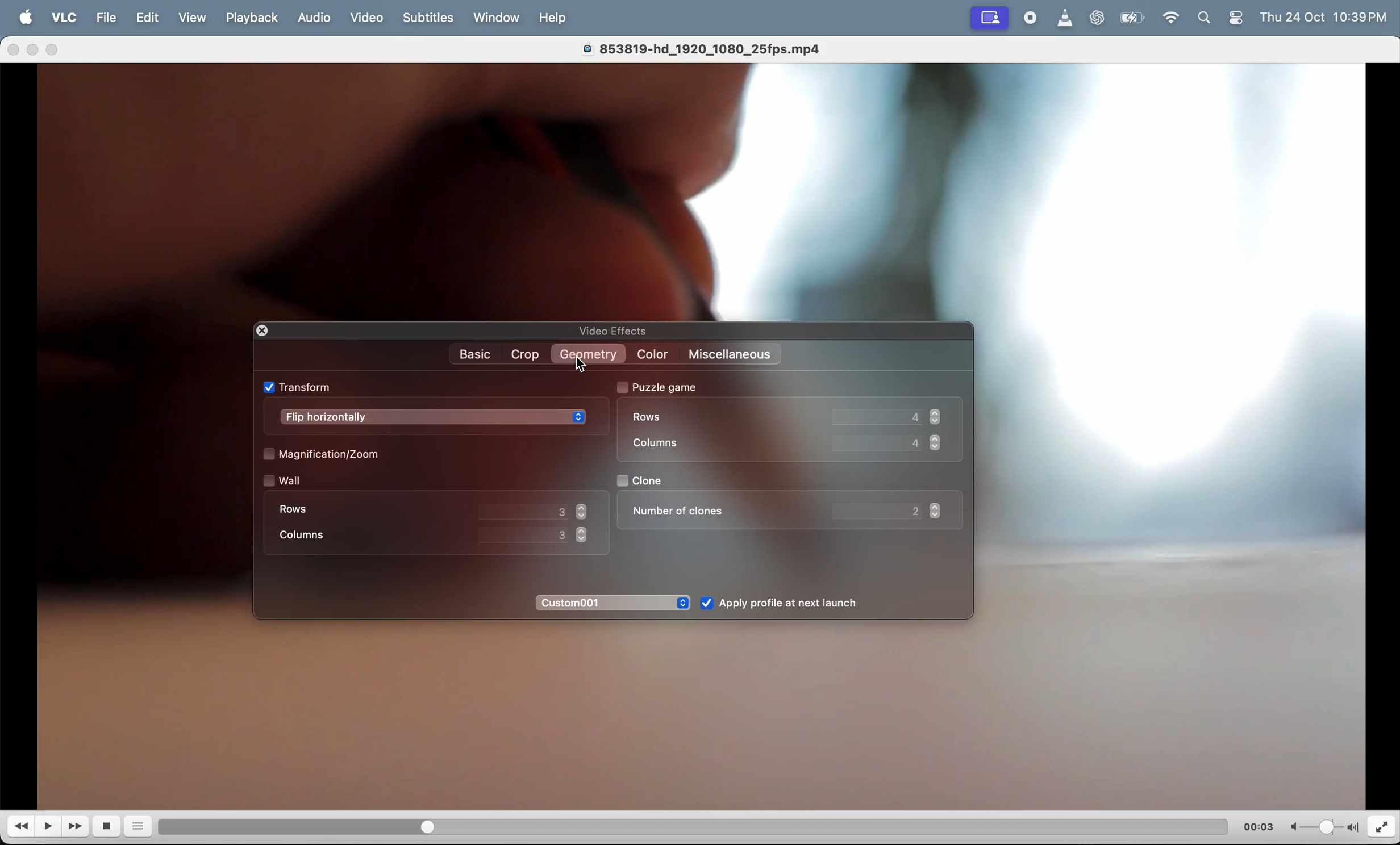  I want to click on wifi, so click(1173, 20).